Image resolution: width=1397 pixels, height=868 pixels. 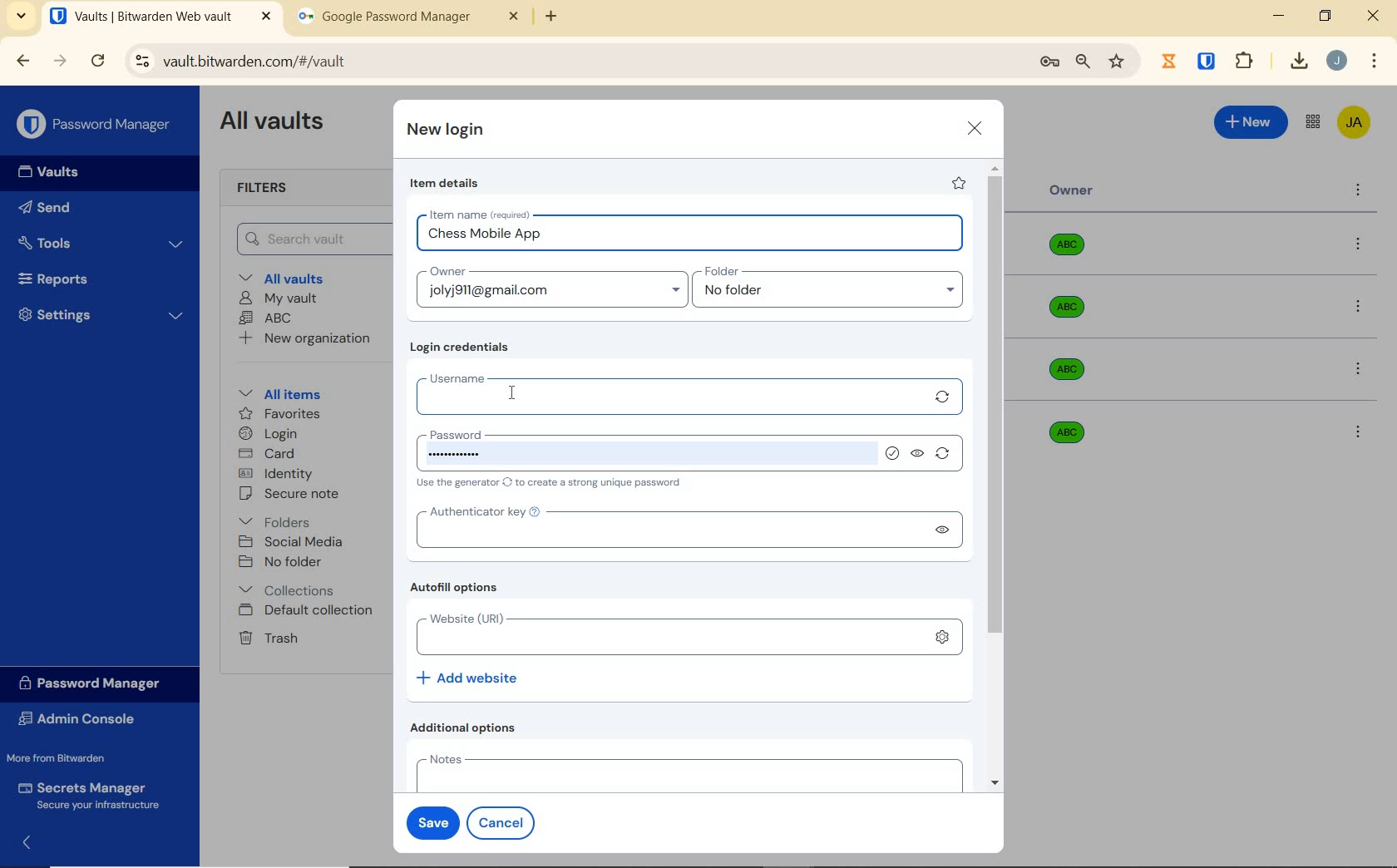 What do you see at coordinates (1361, 245) in the screenshot?
I see `option` at bounding box center [1361, 245].